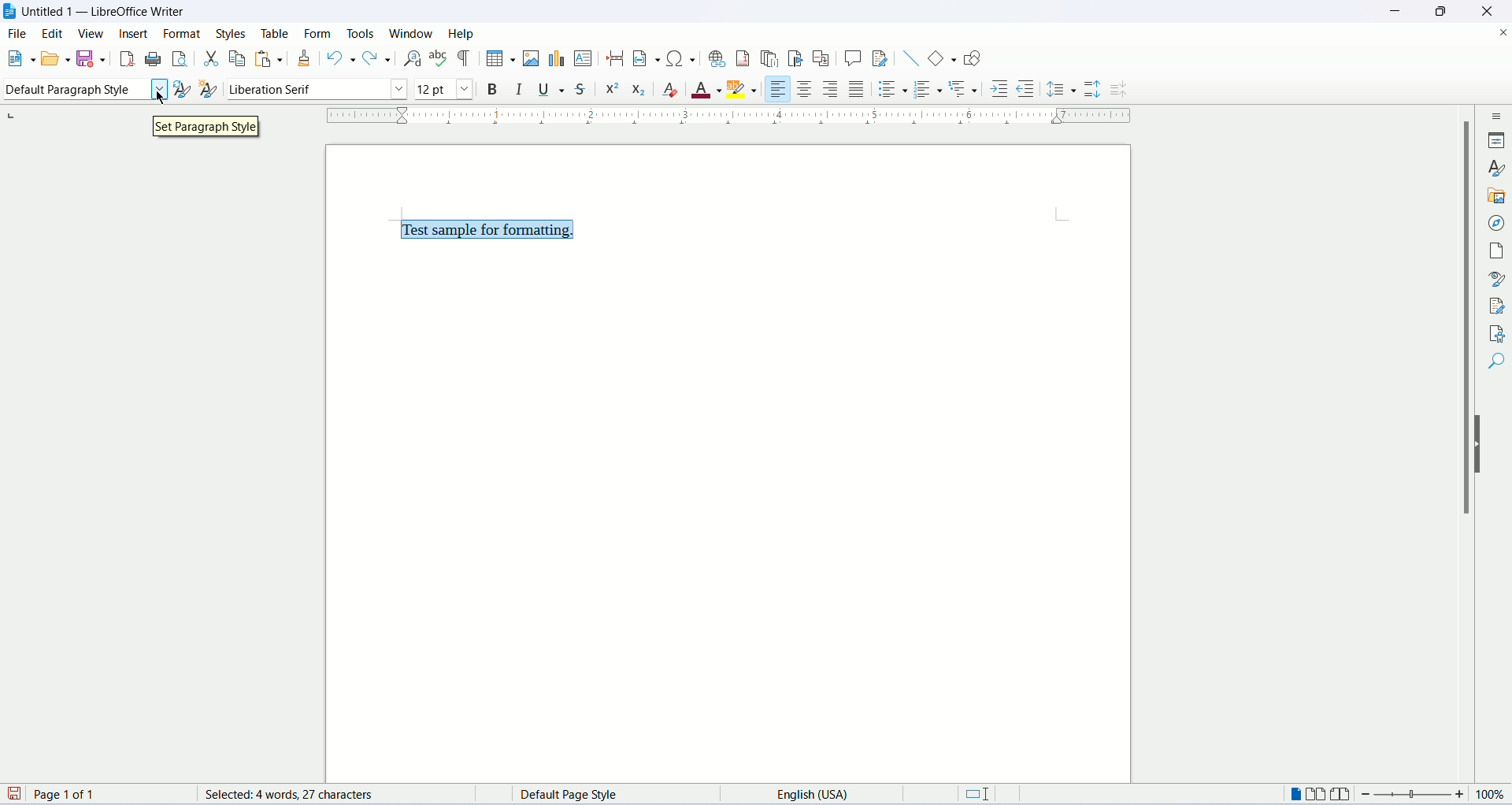 The height and width of the screenshot is (805, 1512). Describe the element at coordinates (779, 87) in the screenshot. I see `align left` at that location.